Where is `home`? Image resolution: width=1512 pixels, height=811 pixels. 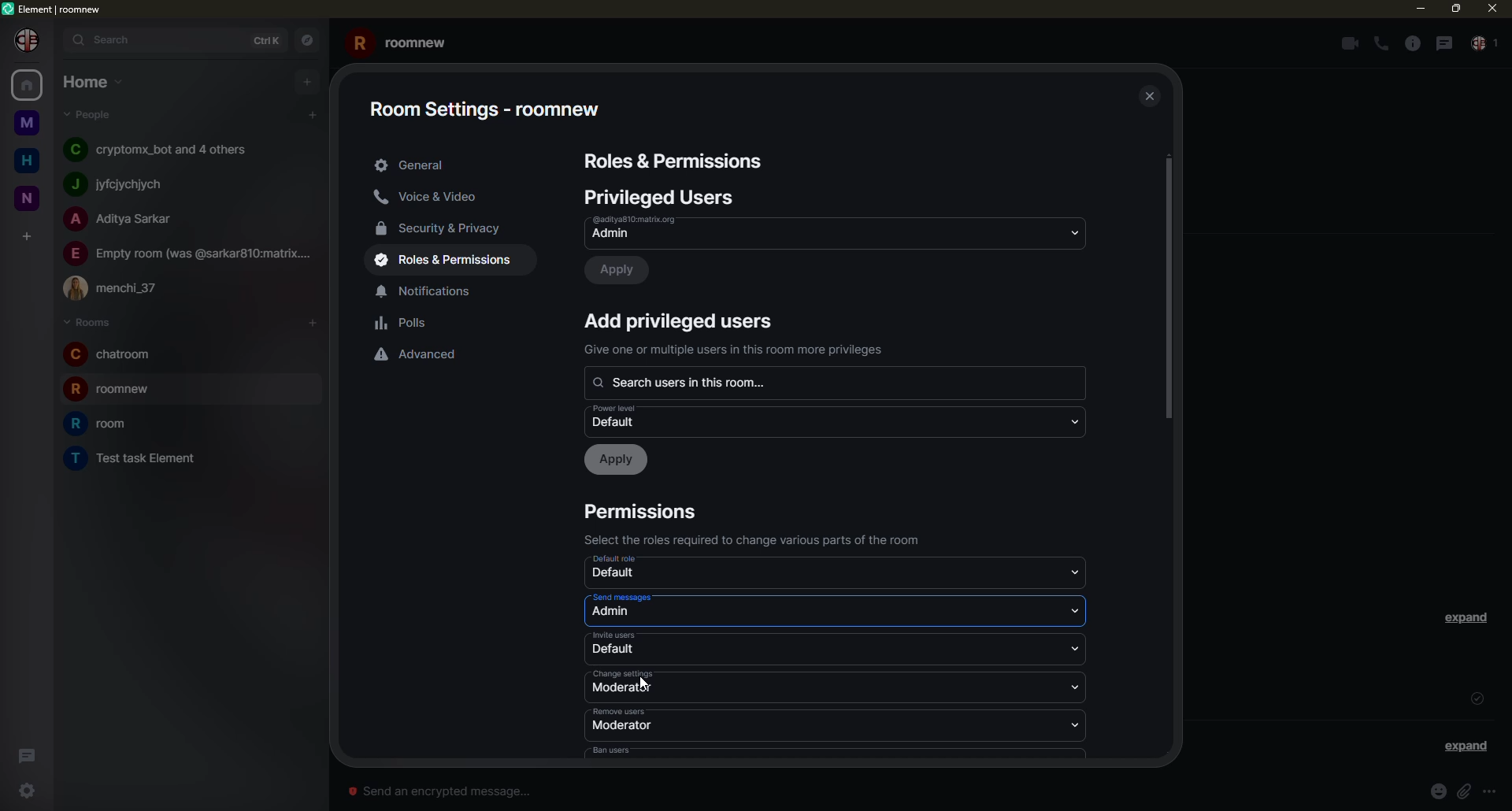
home is located at coordinates (27, 161).